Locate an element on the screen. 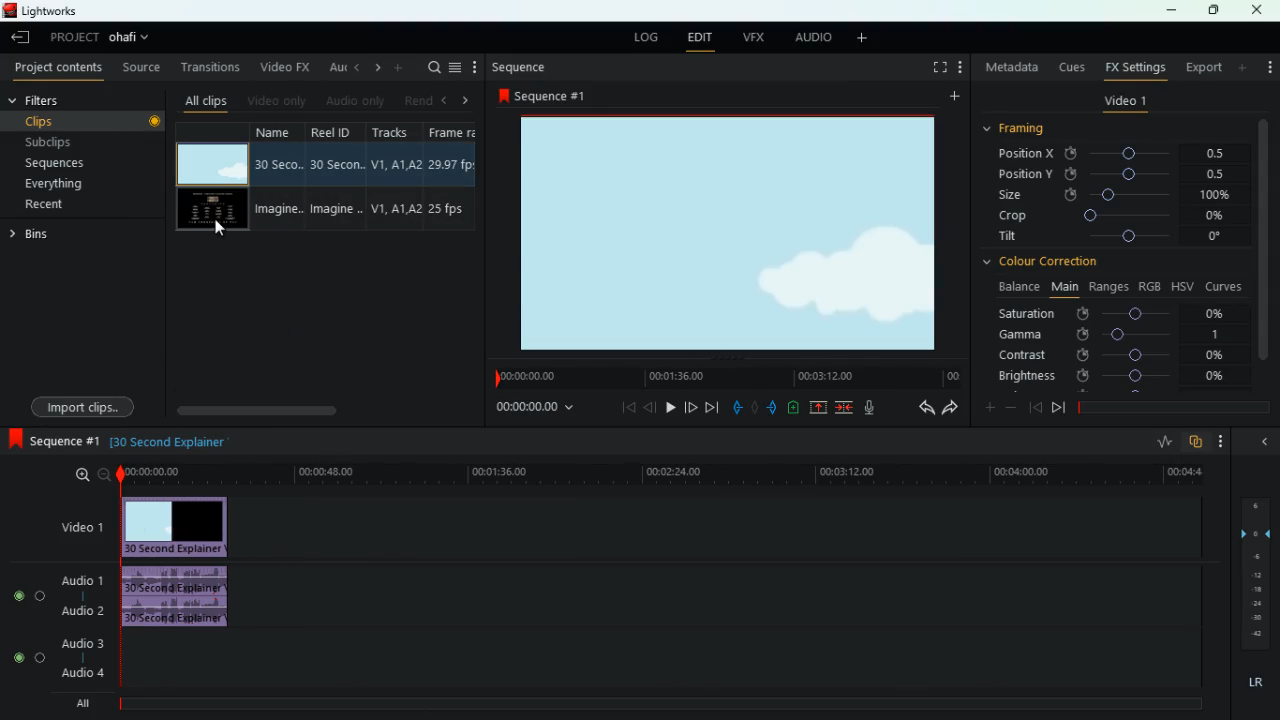 The image size is (1280, 720). back is located at coordinates (922, 409).